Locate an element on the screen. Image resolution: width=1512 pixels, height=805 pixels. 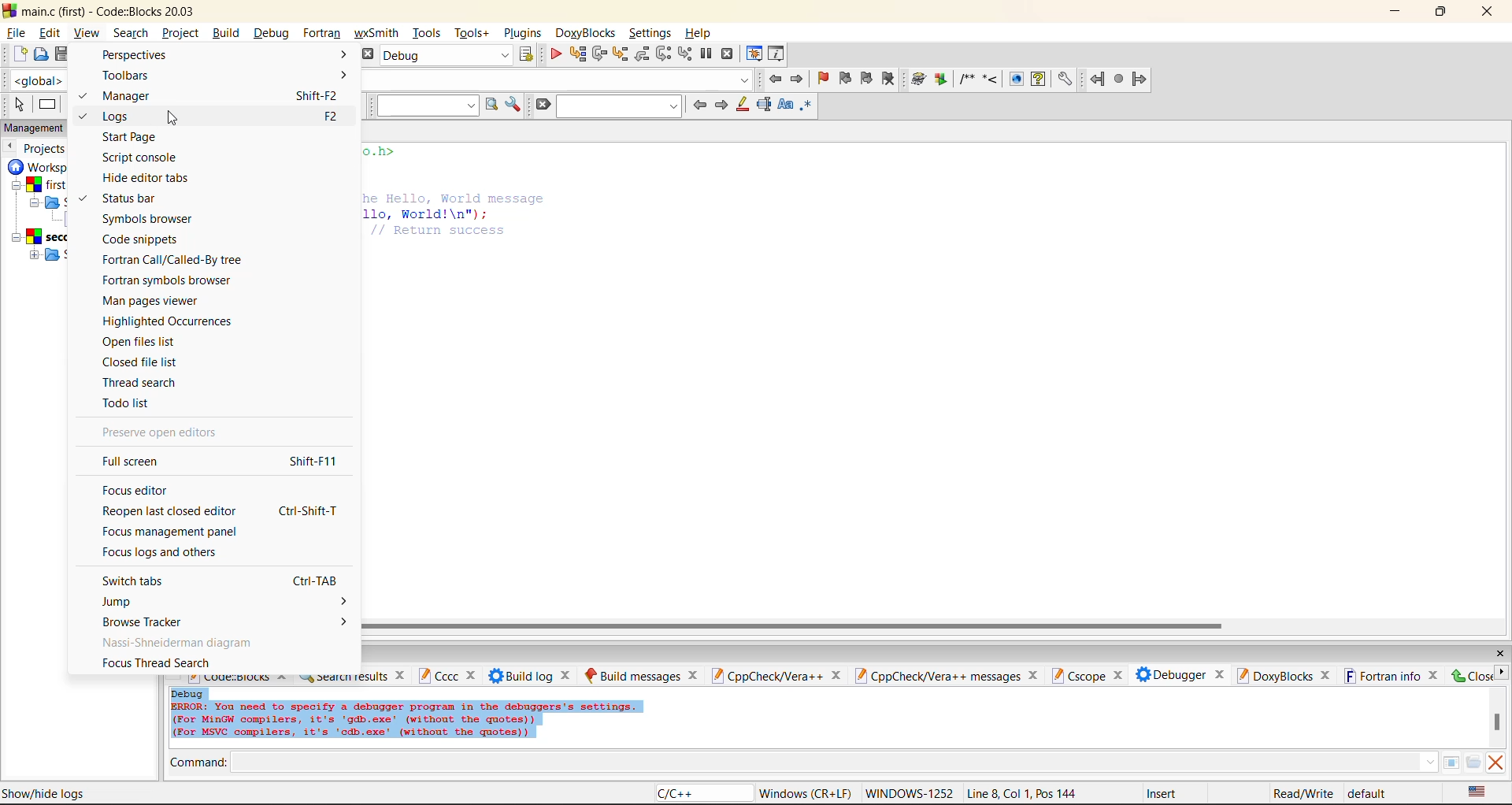
file is located at coordinates (16, 33).